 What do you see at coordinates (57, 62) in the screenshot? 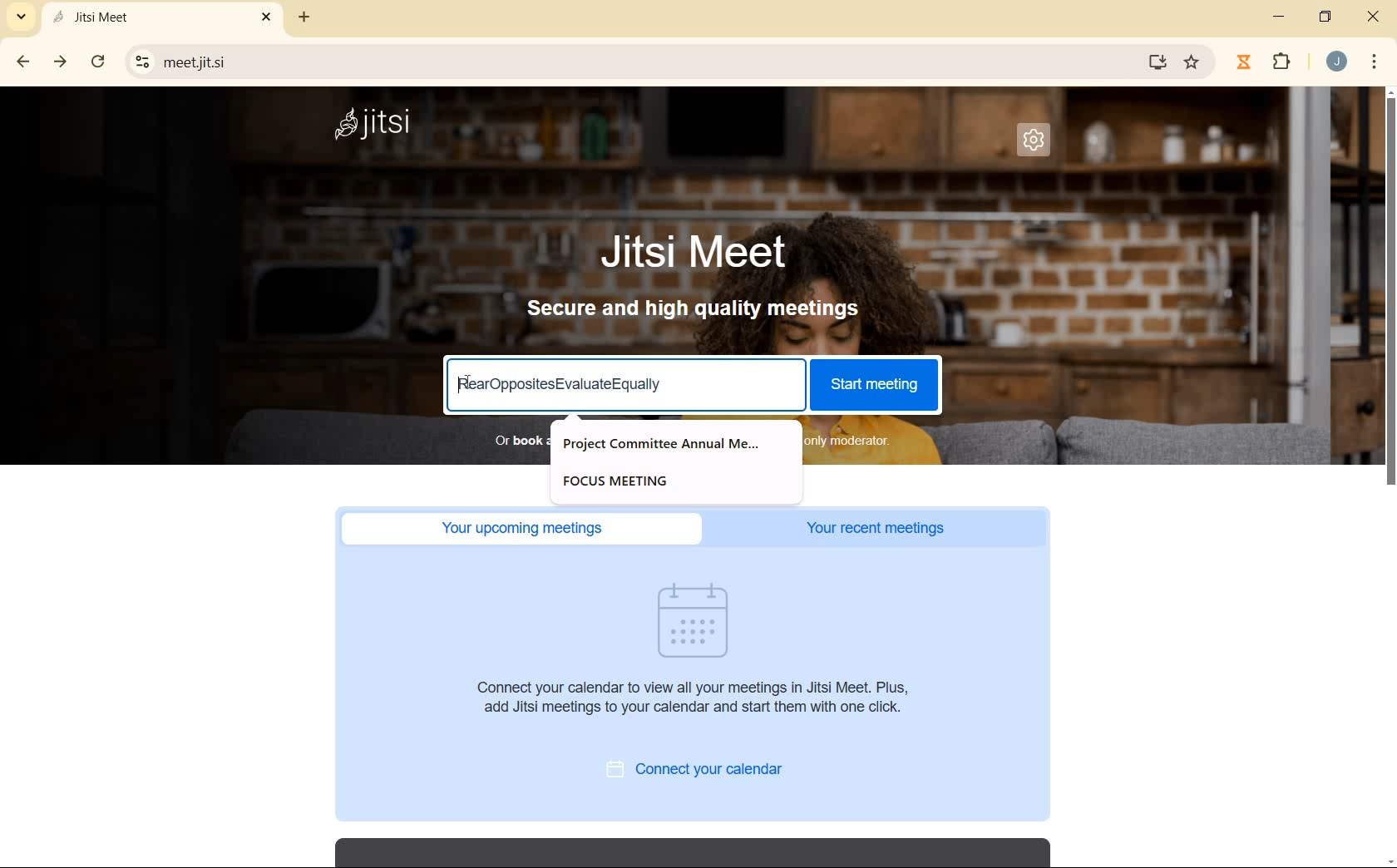
I see `forward` at bounding box center [57, 62].